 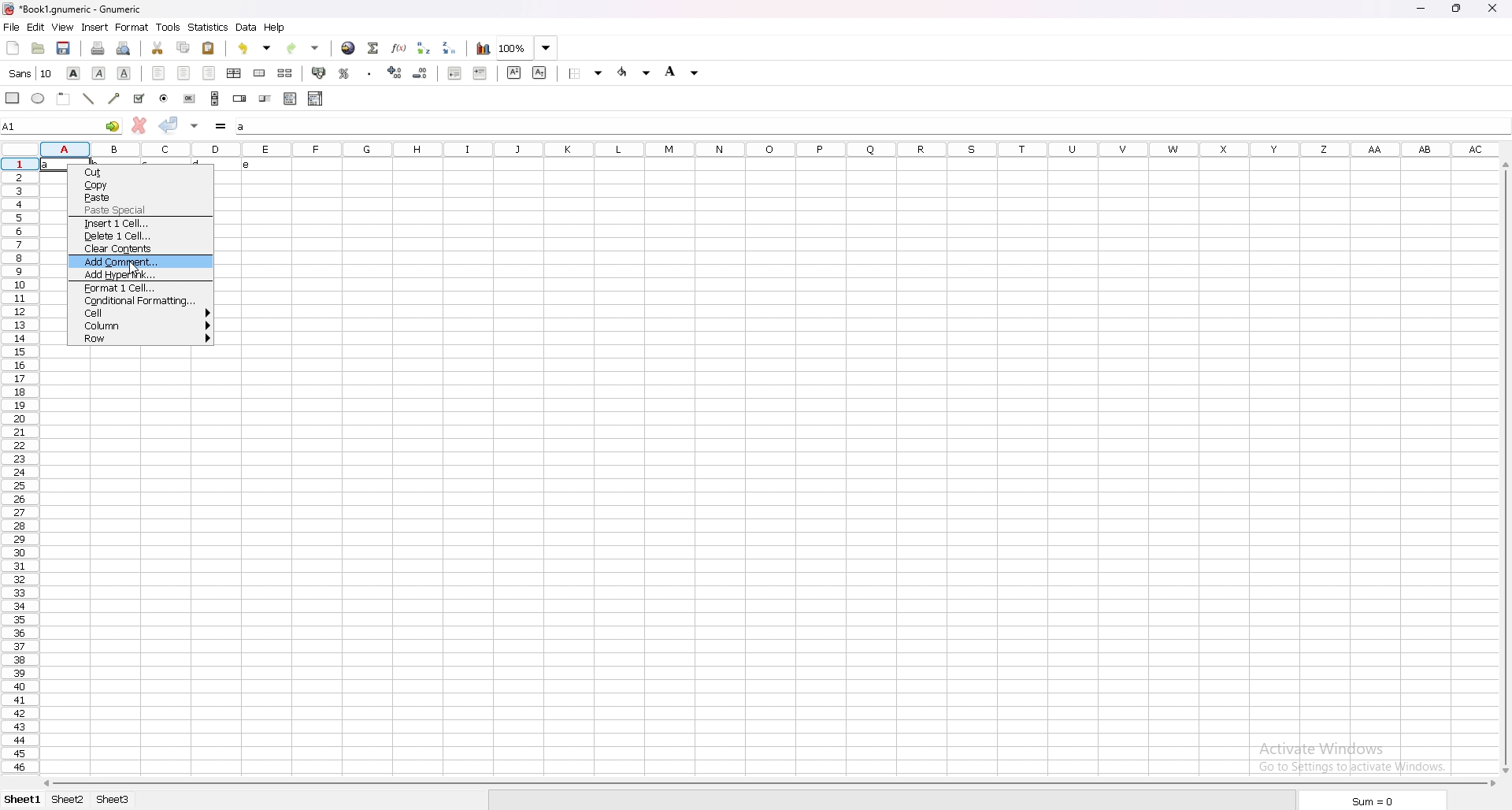 I want to click on centre, so click(x=183, y=72).